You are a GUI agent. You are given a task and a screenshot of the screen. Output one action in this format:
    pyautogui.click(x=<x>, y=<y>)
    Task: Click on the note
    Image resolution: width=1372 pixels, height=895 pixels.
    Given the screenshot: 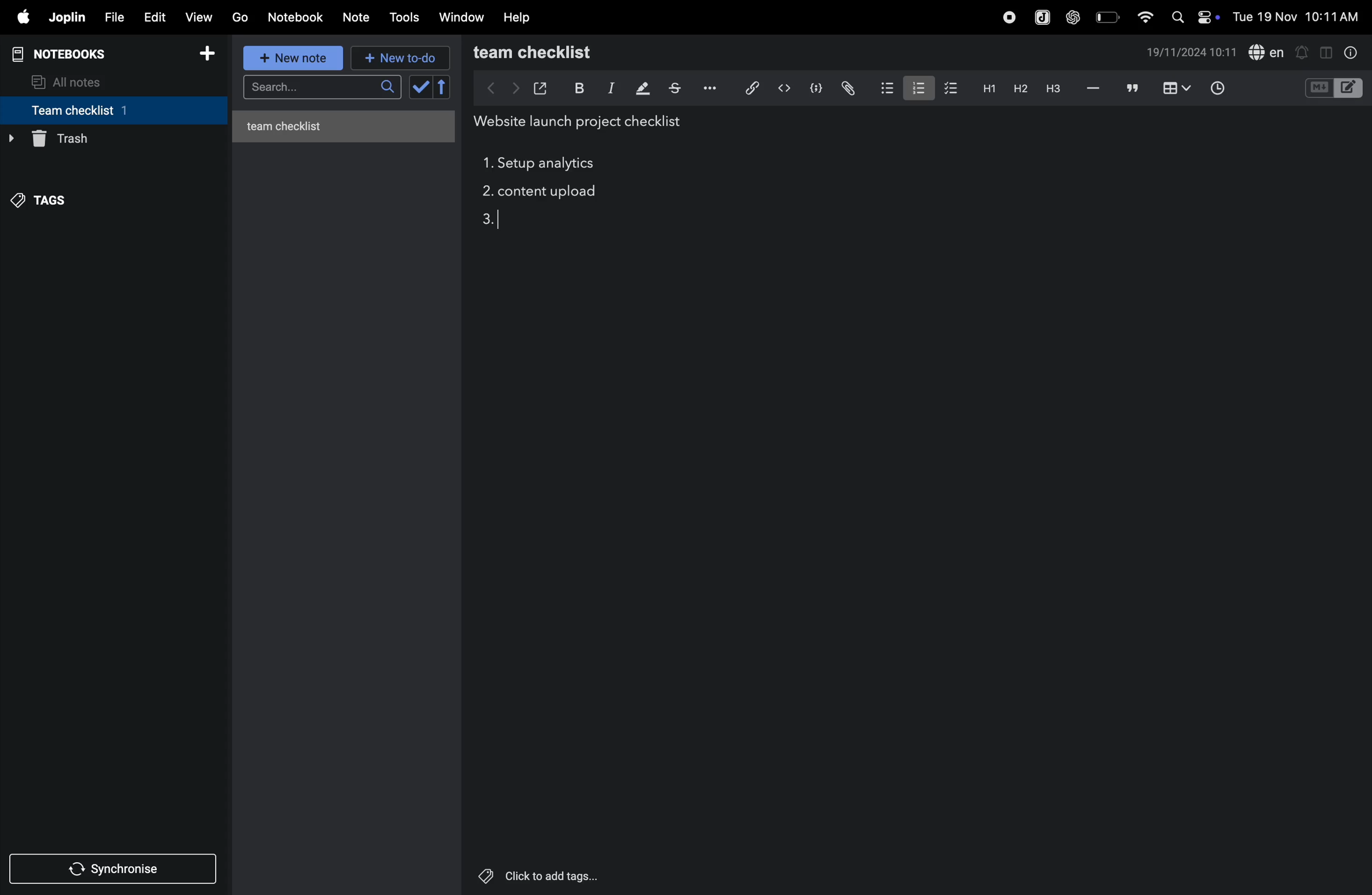 What is the action you would take?
    pyautogui.click(x=361, y=16)
    